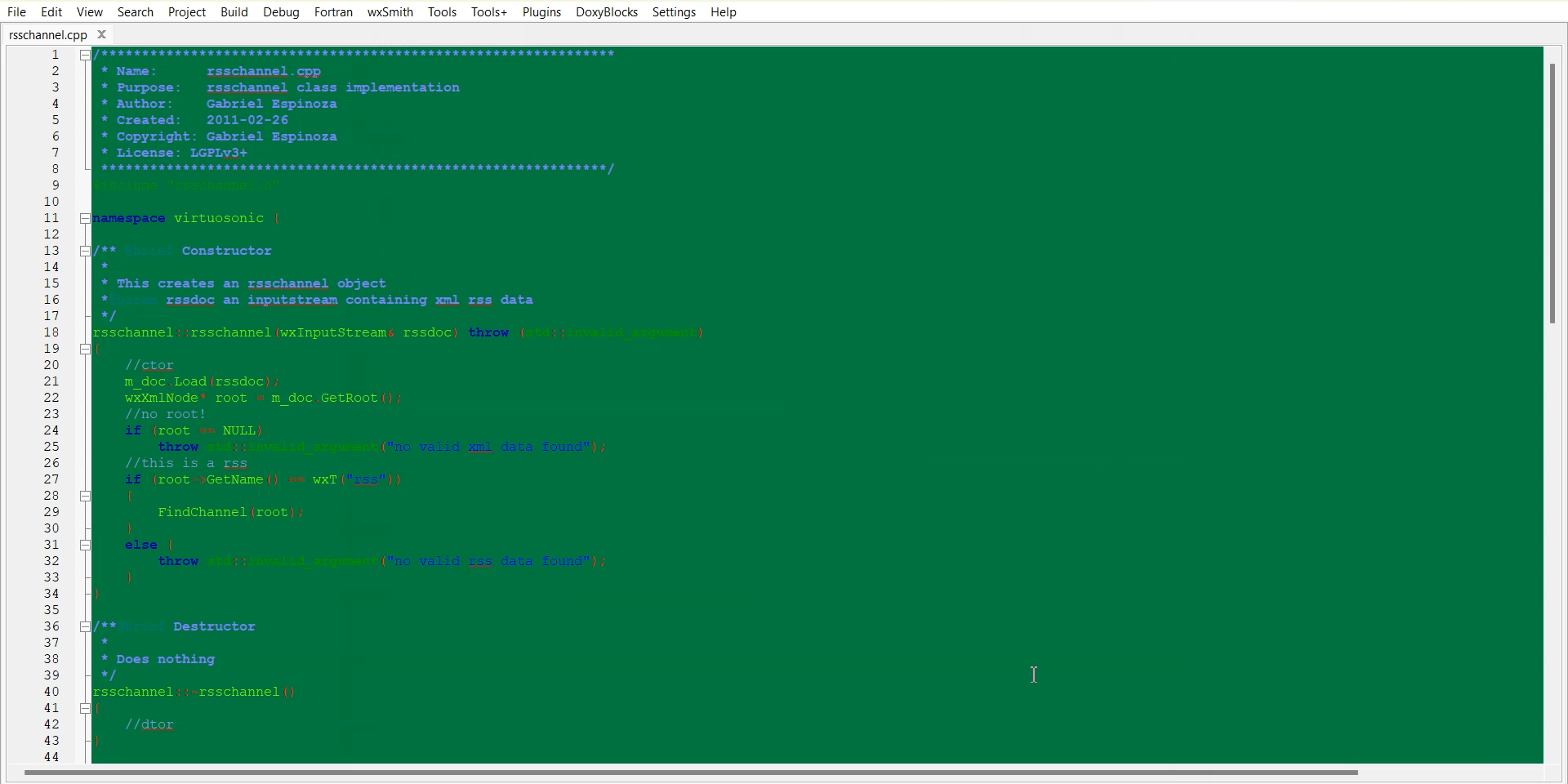  What do you see at coordinates (234, 11) in the screenshot?
I see `Build` at bounding box center [234, 11].